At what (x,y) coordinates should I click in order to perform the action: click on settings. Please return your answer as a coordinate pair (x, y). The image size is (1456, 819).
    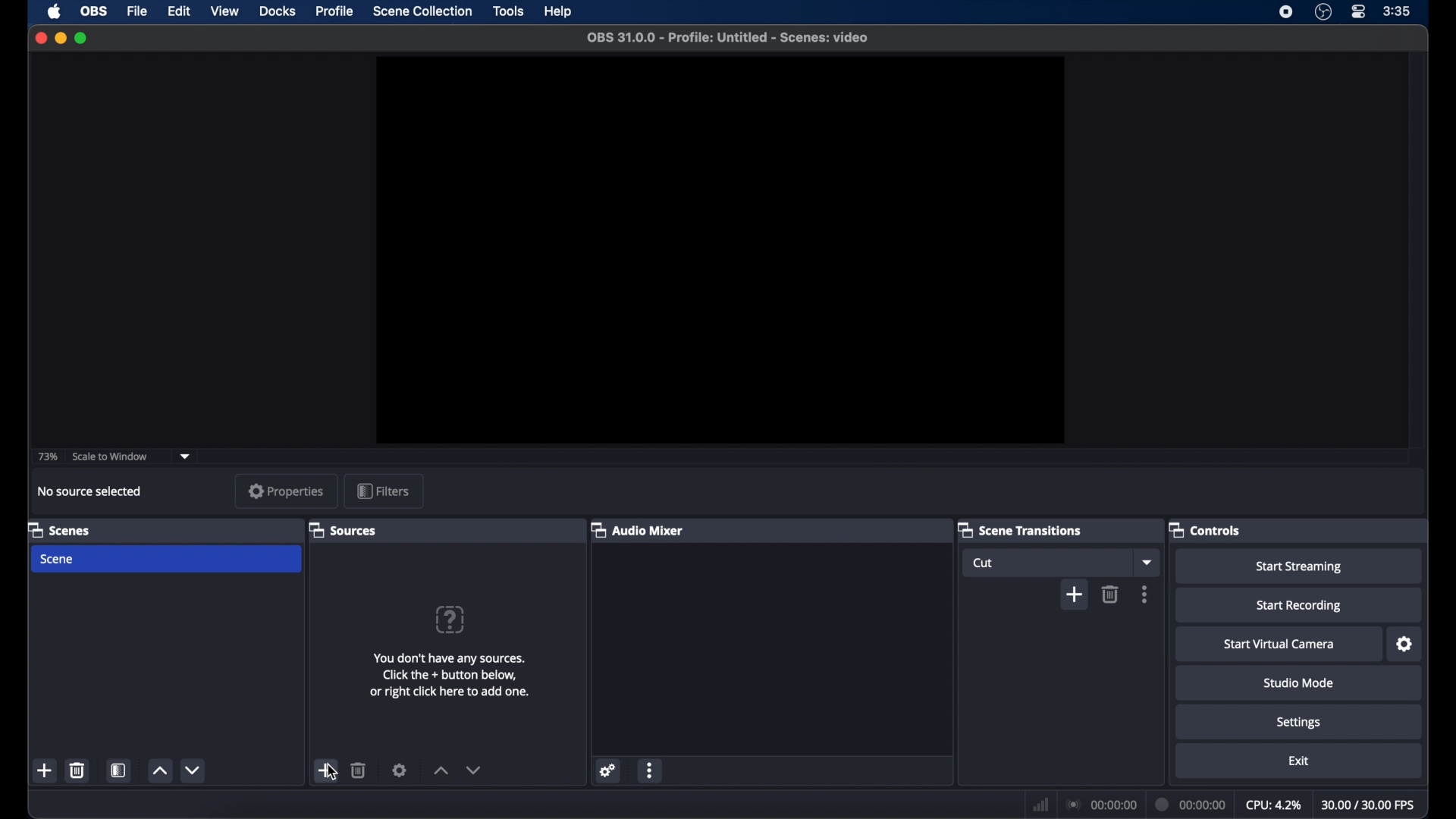
    Looking at the image, I should click on (400, 770).